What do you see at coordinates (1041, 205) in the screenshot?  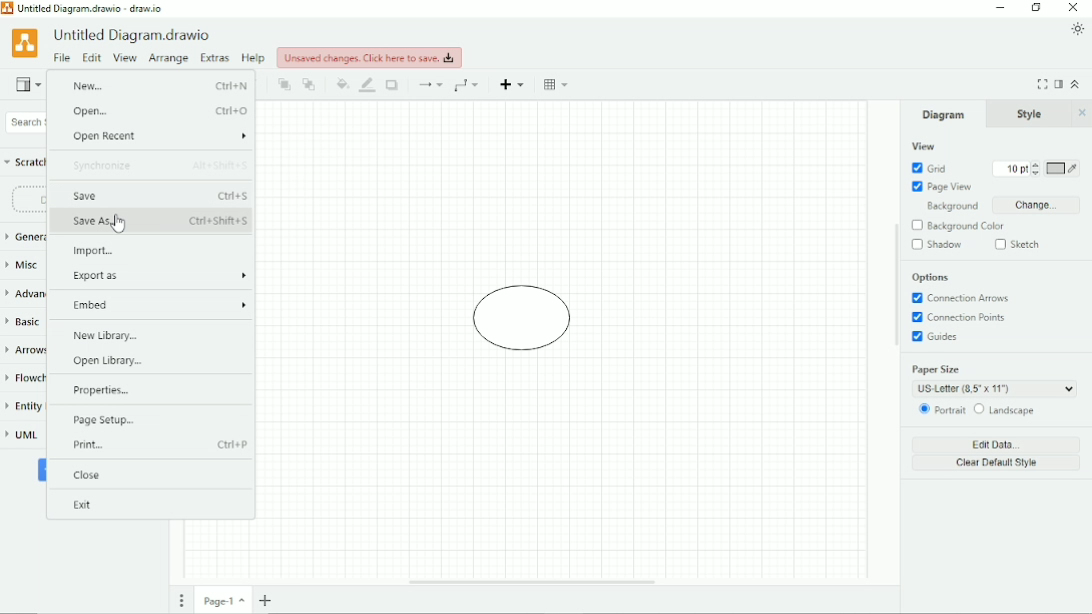 I see `Change` at bounding box center [1041, 205].